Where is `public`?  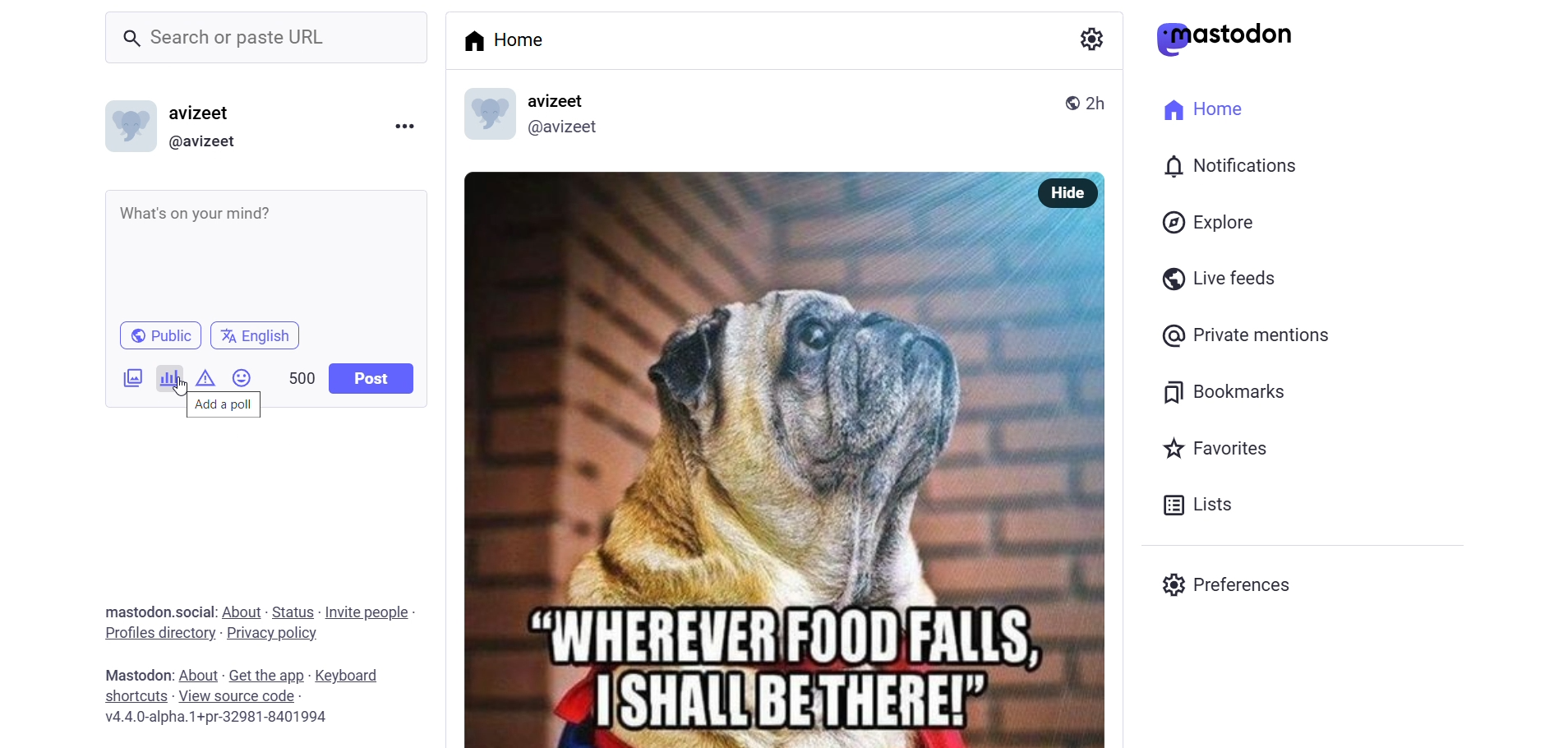
public is located at coordinates (160, 335).